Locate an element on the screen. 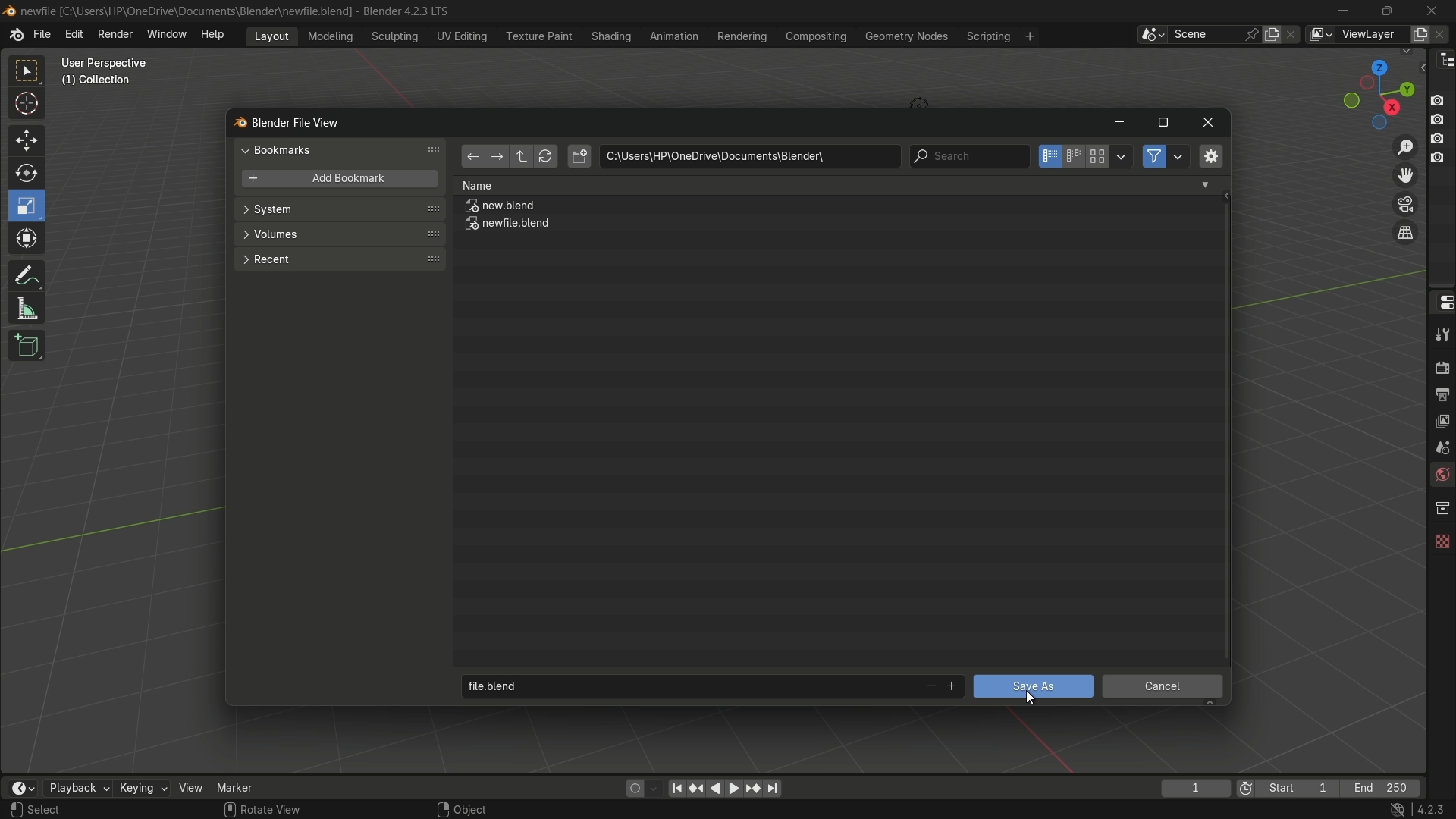 Image resolution: width=1456 pixels, height=819 pixels. remove view layer is located at coordinates (1443, 33).